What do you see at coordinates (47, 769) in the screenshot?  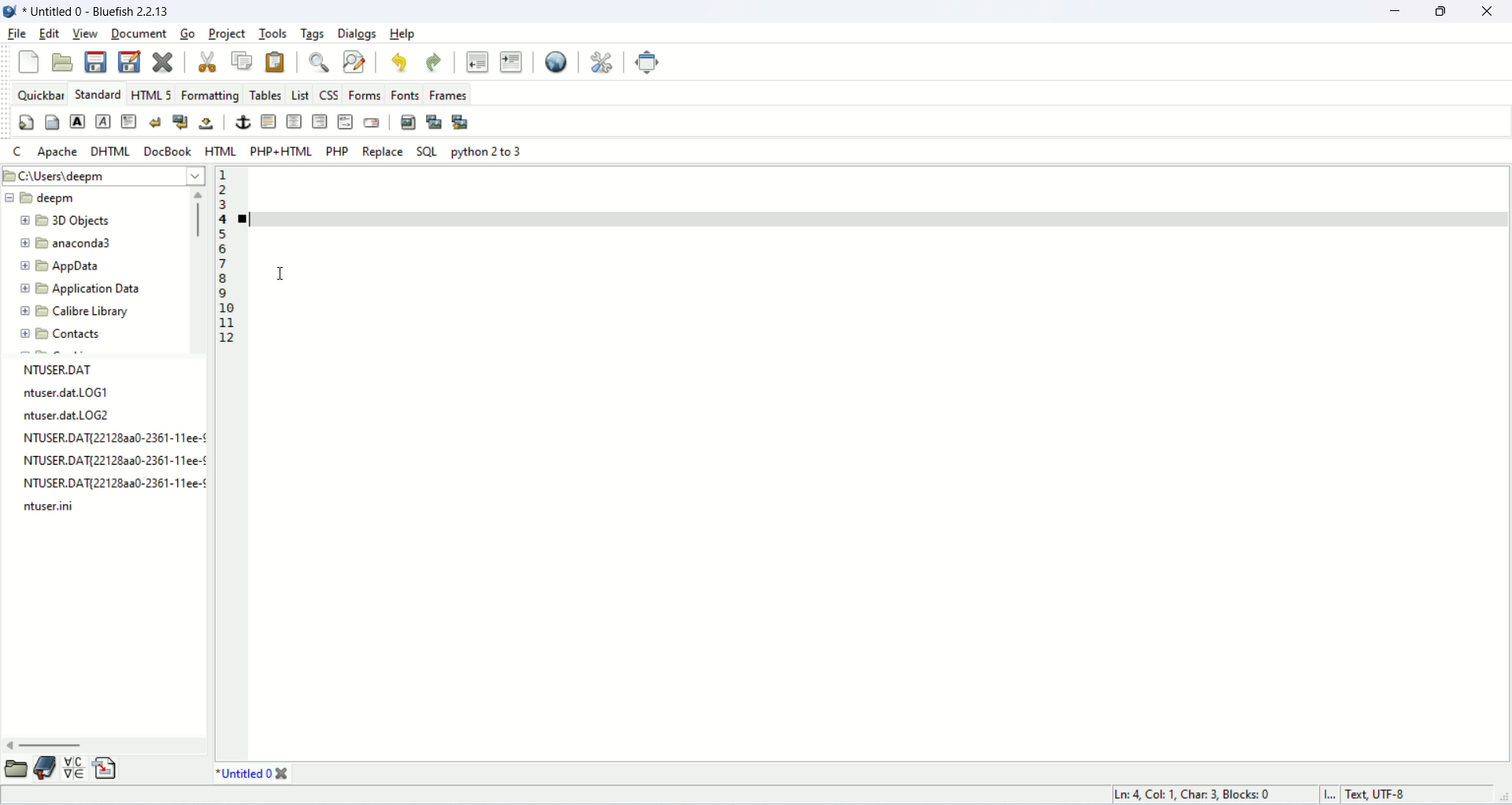 I see `bookmarks` at bounding box center [47, 769].